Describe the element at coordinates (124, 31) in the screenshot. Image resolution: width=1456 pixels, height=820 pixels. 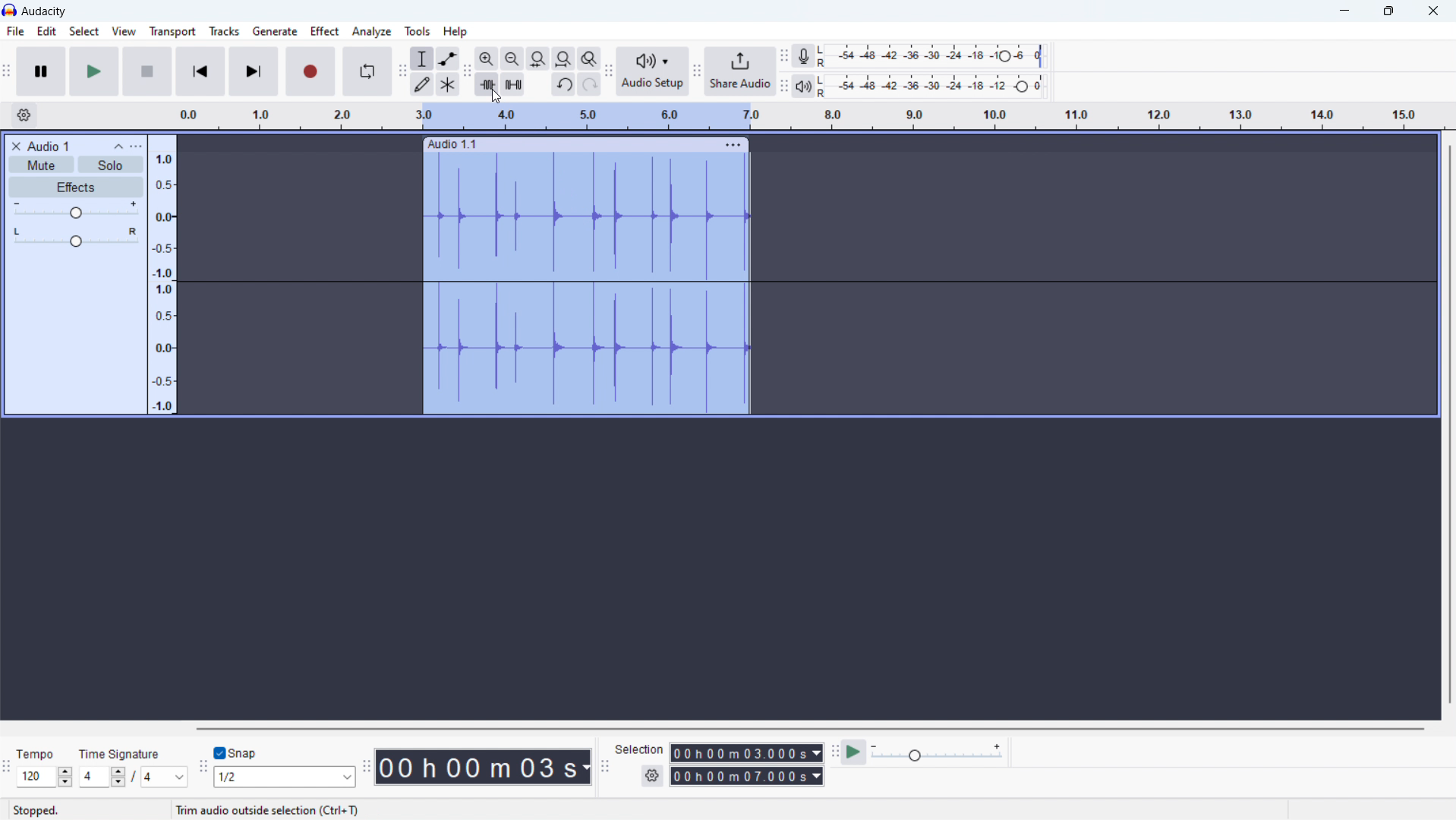
I see `view` at that location.